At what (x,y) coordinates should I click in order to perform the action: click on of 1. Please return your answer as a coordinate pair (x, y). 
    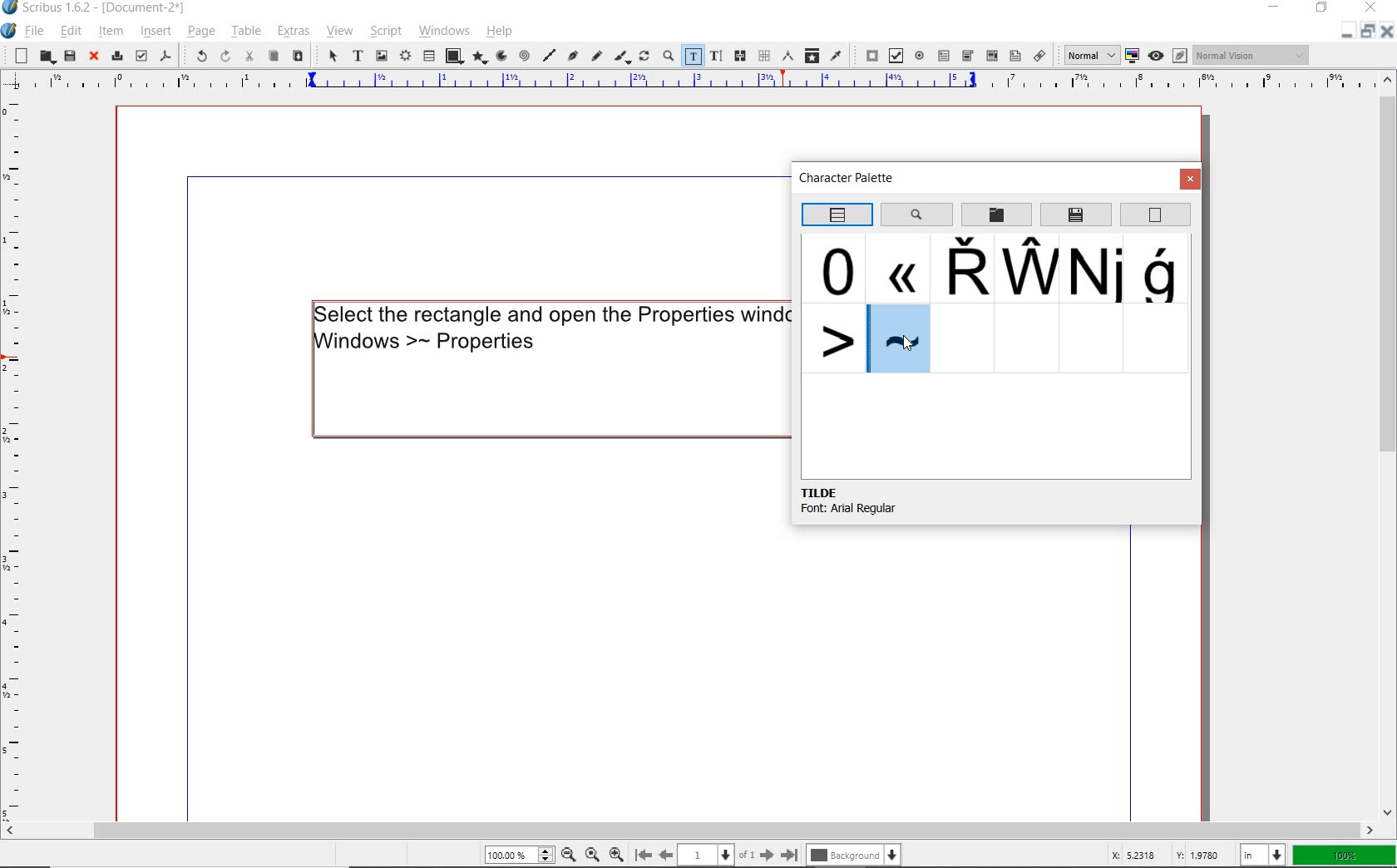
    Looking at the image, I should click on (747, 854).